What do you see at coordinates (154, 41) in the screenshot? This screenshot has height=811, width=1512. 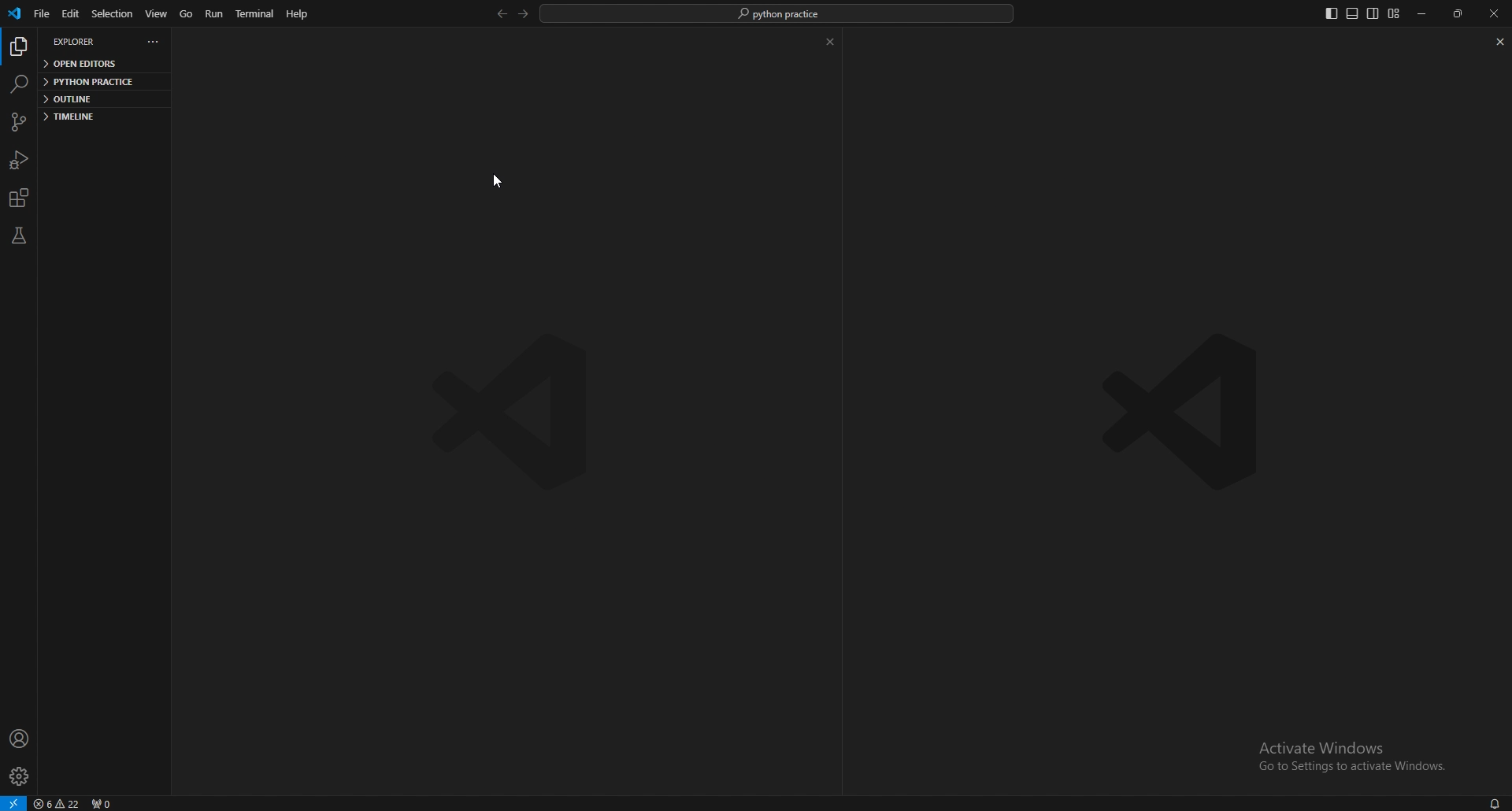 I see `more actions` at bounding box center [154, 41].